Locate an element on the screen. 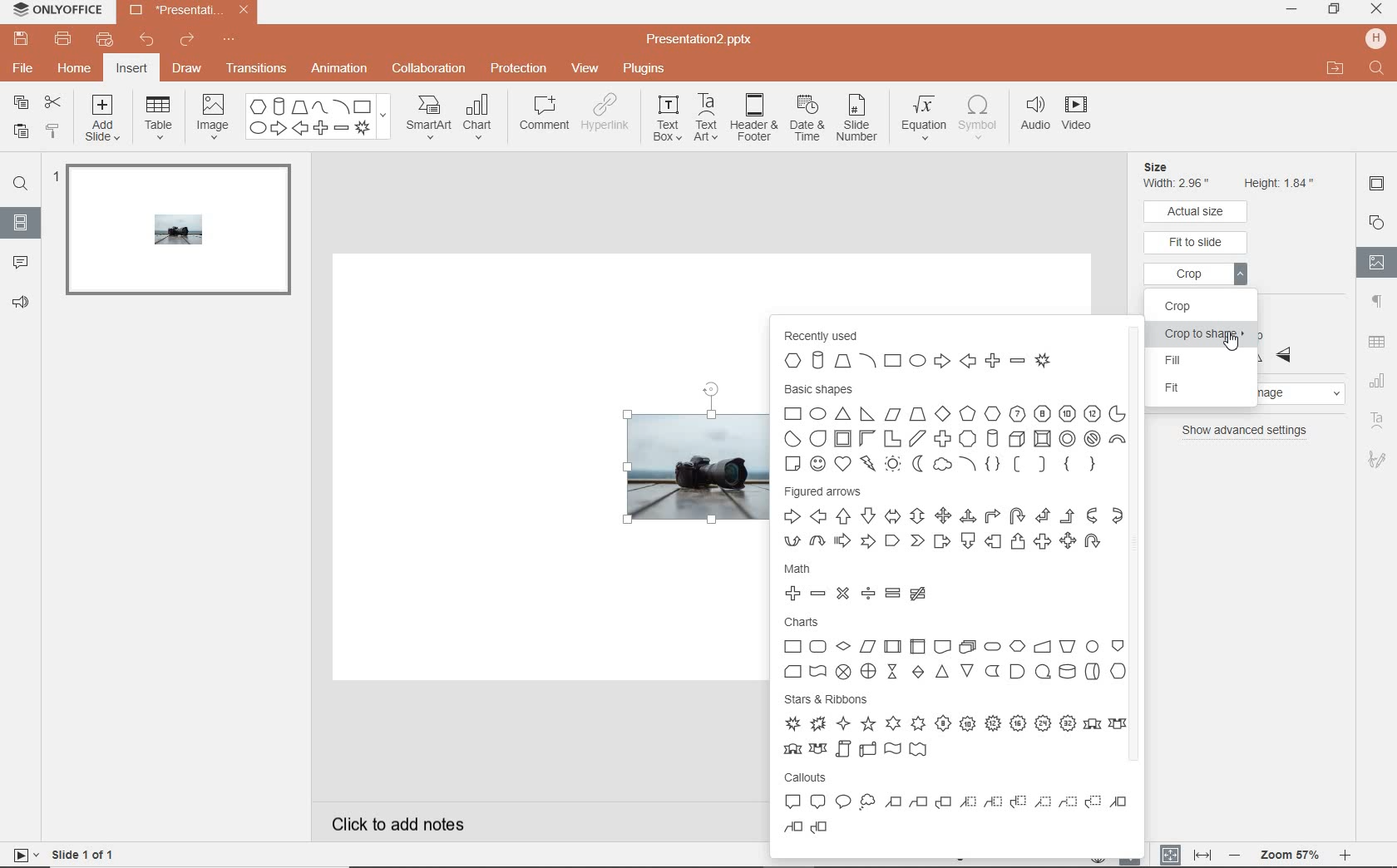  click to add notes is located at coordinates (437, 821).